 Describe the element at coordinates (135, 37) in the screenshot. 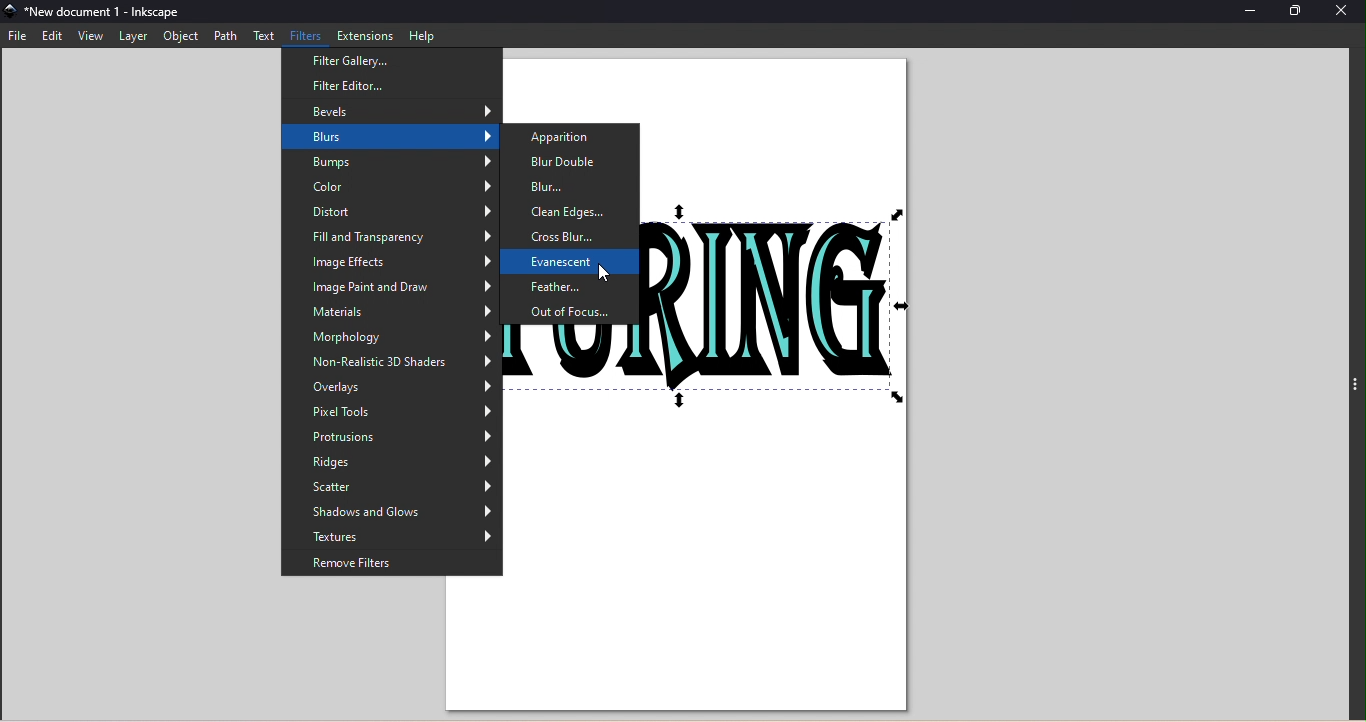

I see `Layer` at that location.